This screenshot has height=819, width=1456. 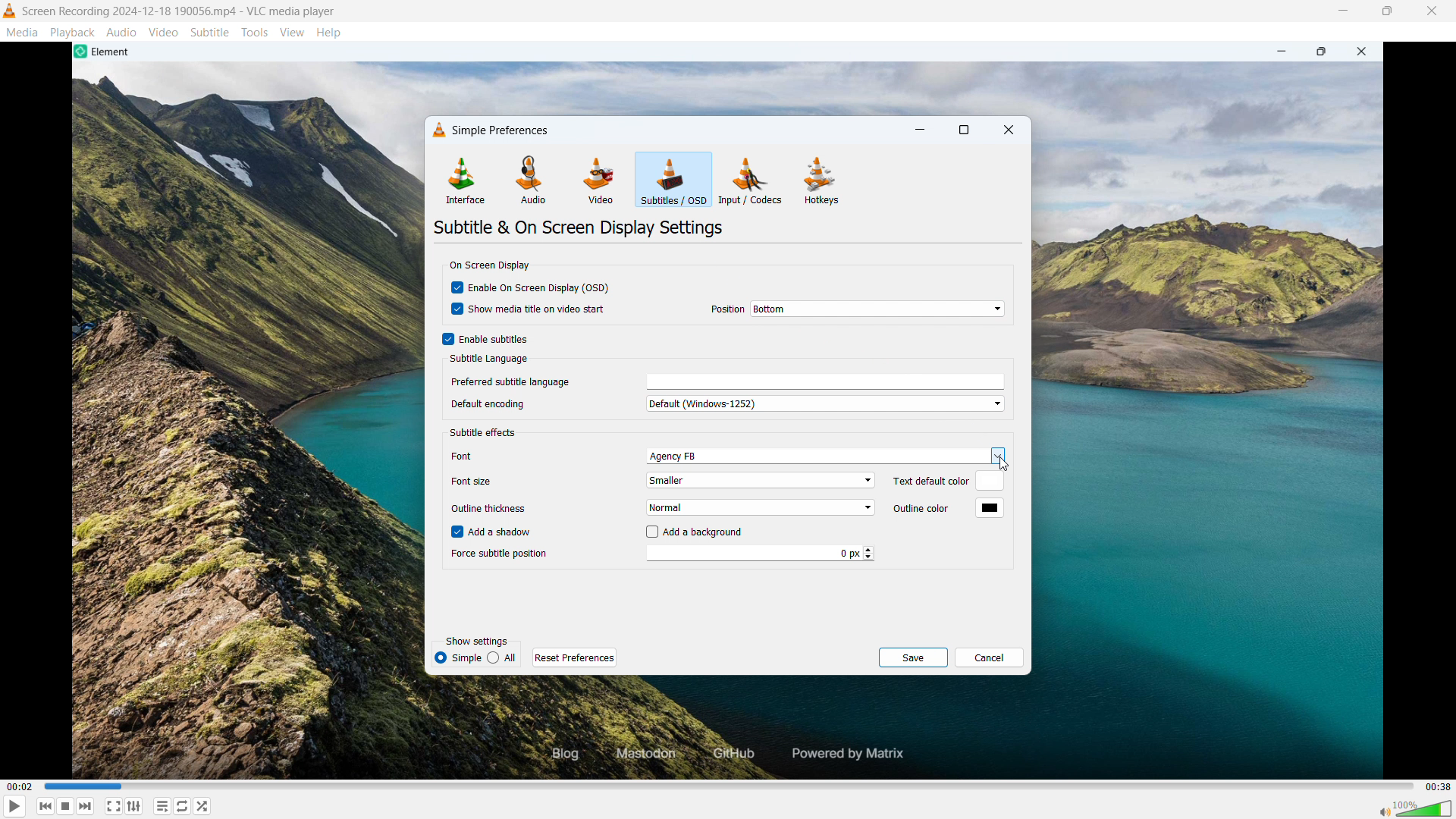 I want to click on cursor, so click(x=1005, y=463).